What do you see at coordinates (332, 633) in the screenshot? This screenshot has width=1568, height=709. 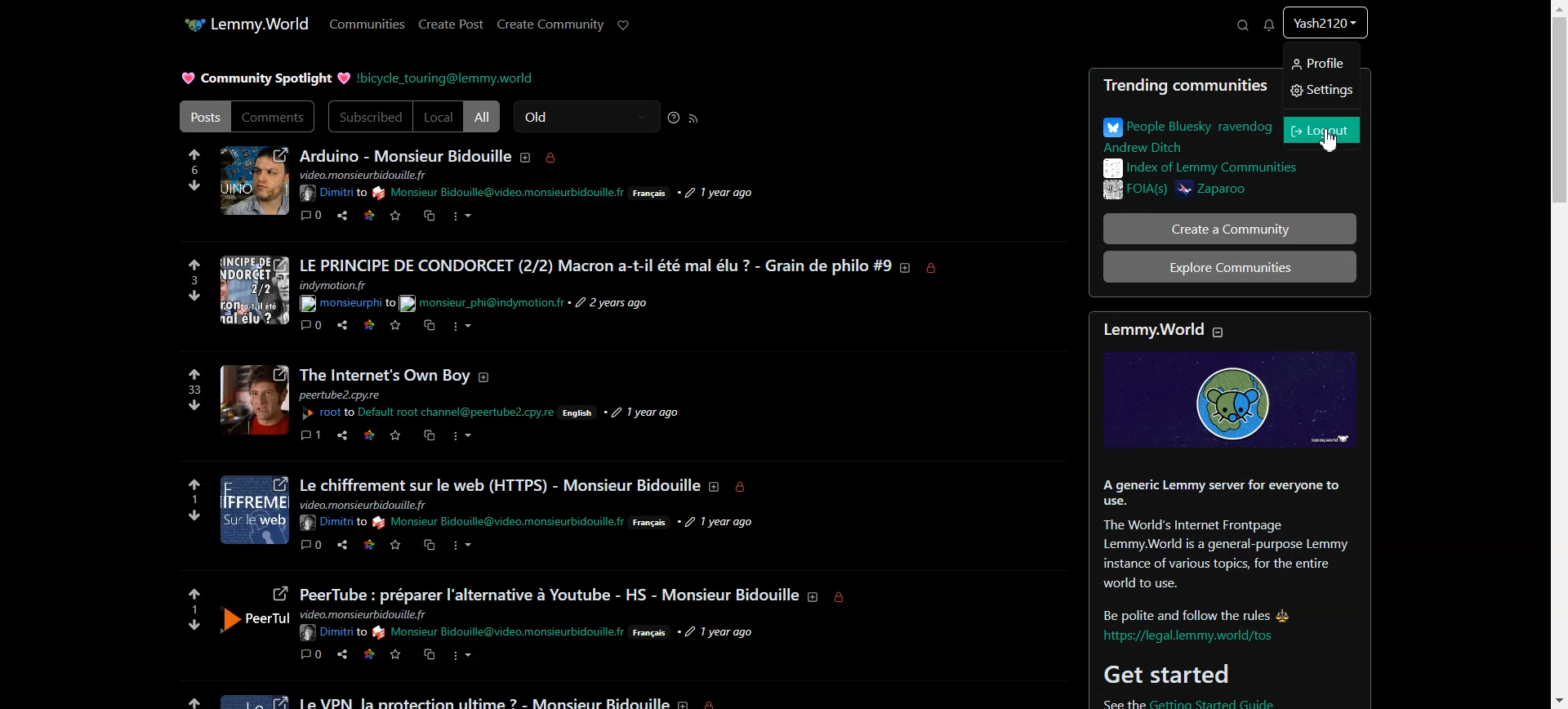 I see `hyperlink` at bounding box center [332, 633].